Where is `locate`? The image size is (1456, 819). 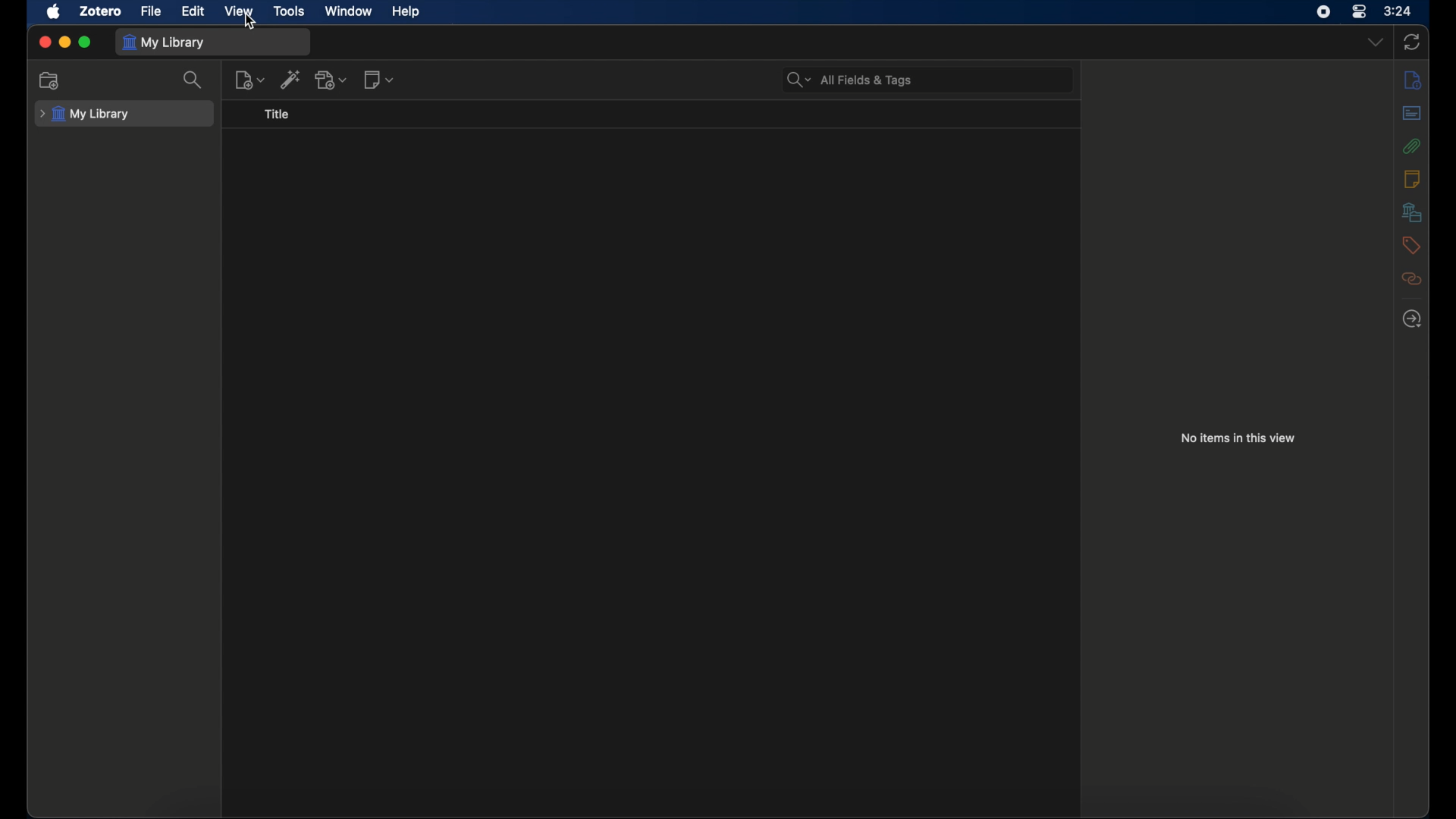 locate is located at coordinates (1410, 319).